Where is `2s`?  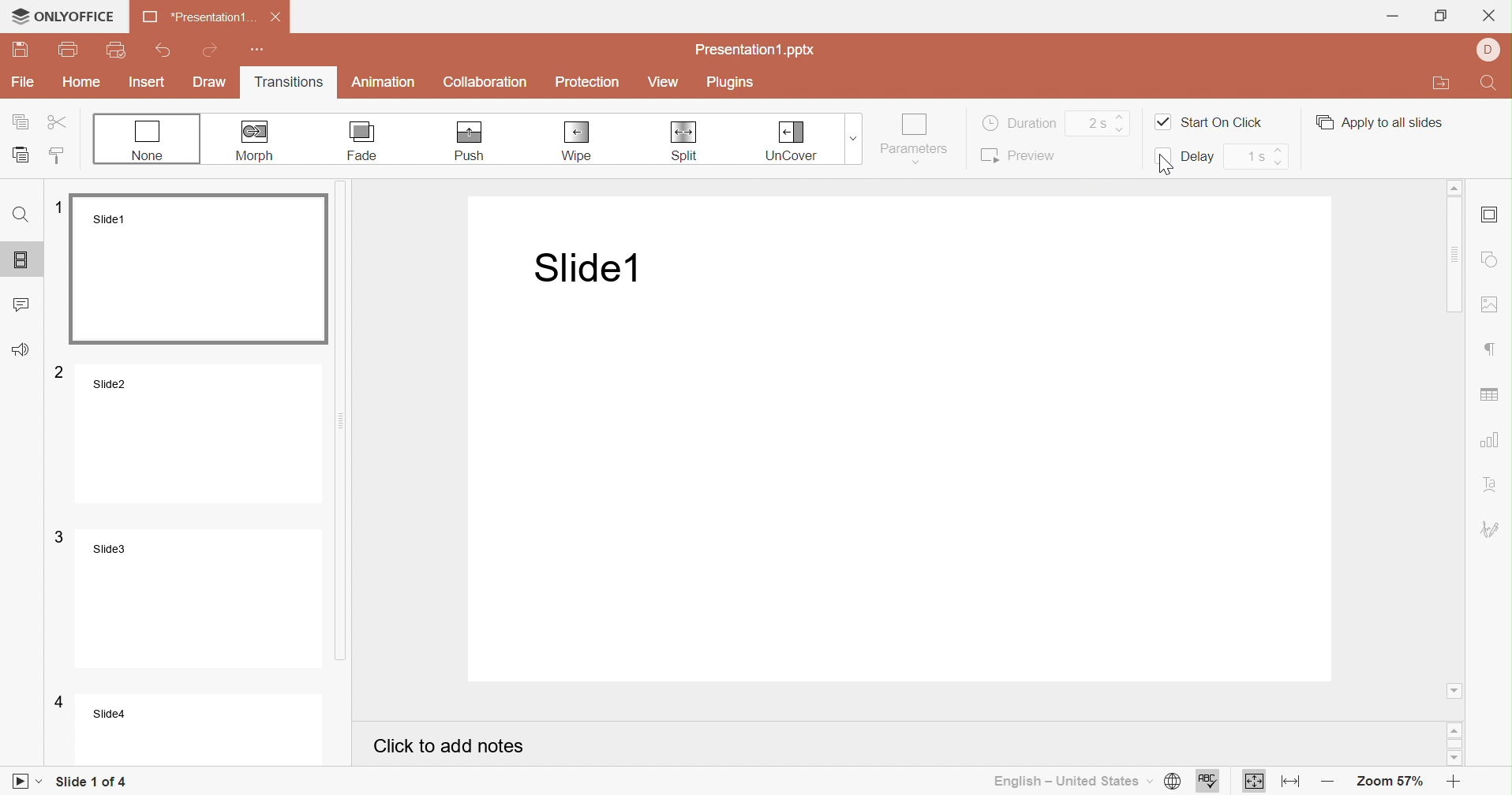 2s is located at coordinates (1095, 123).